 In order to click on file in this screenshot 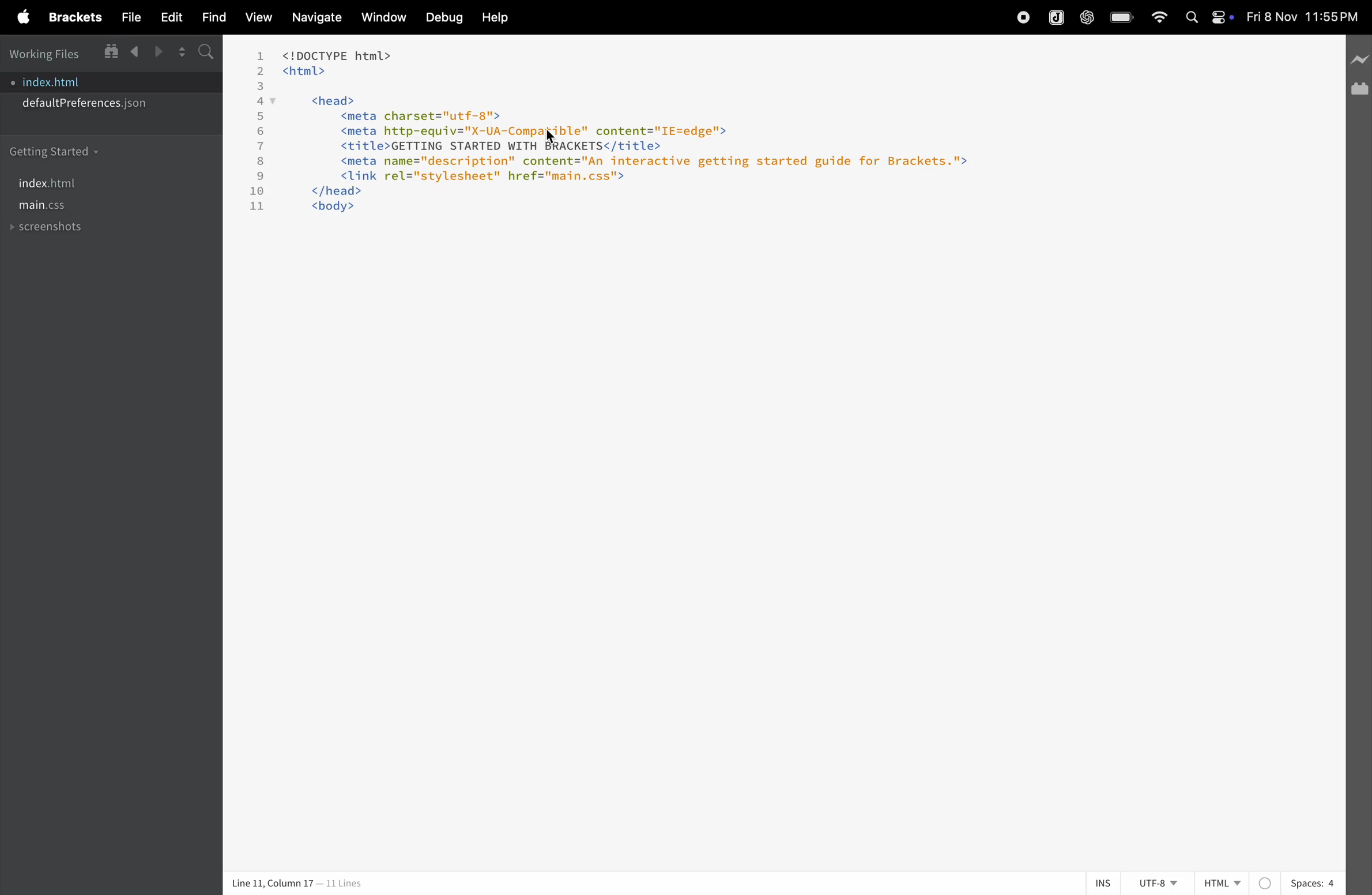, I will do `click(129, 18)`.